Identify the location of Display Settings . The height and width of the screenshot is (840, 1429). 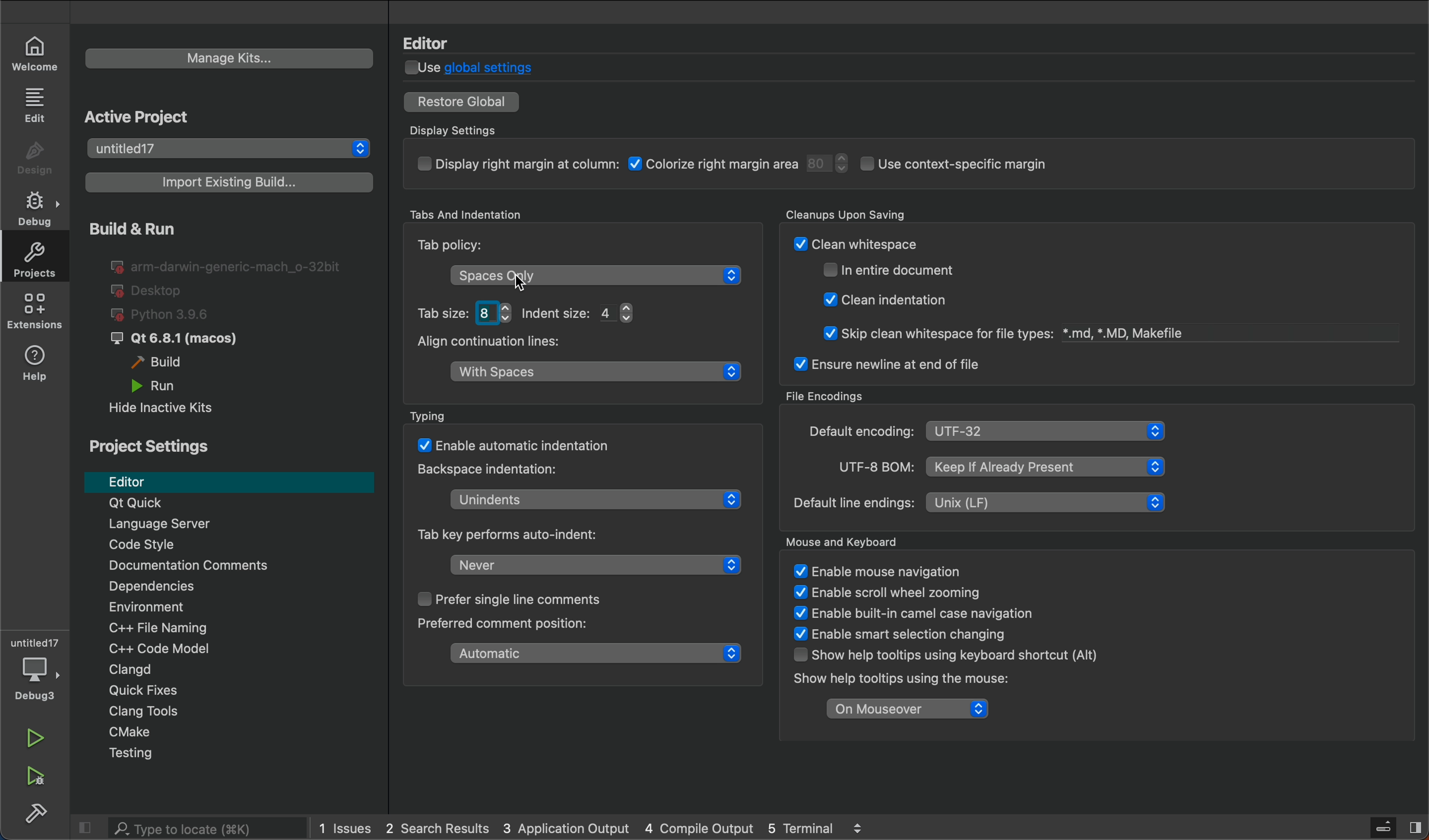
(468, 125).